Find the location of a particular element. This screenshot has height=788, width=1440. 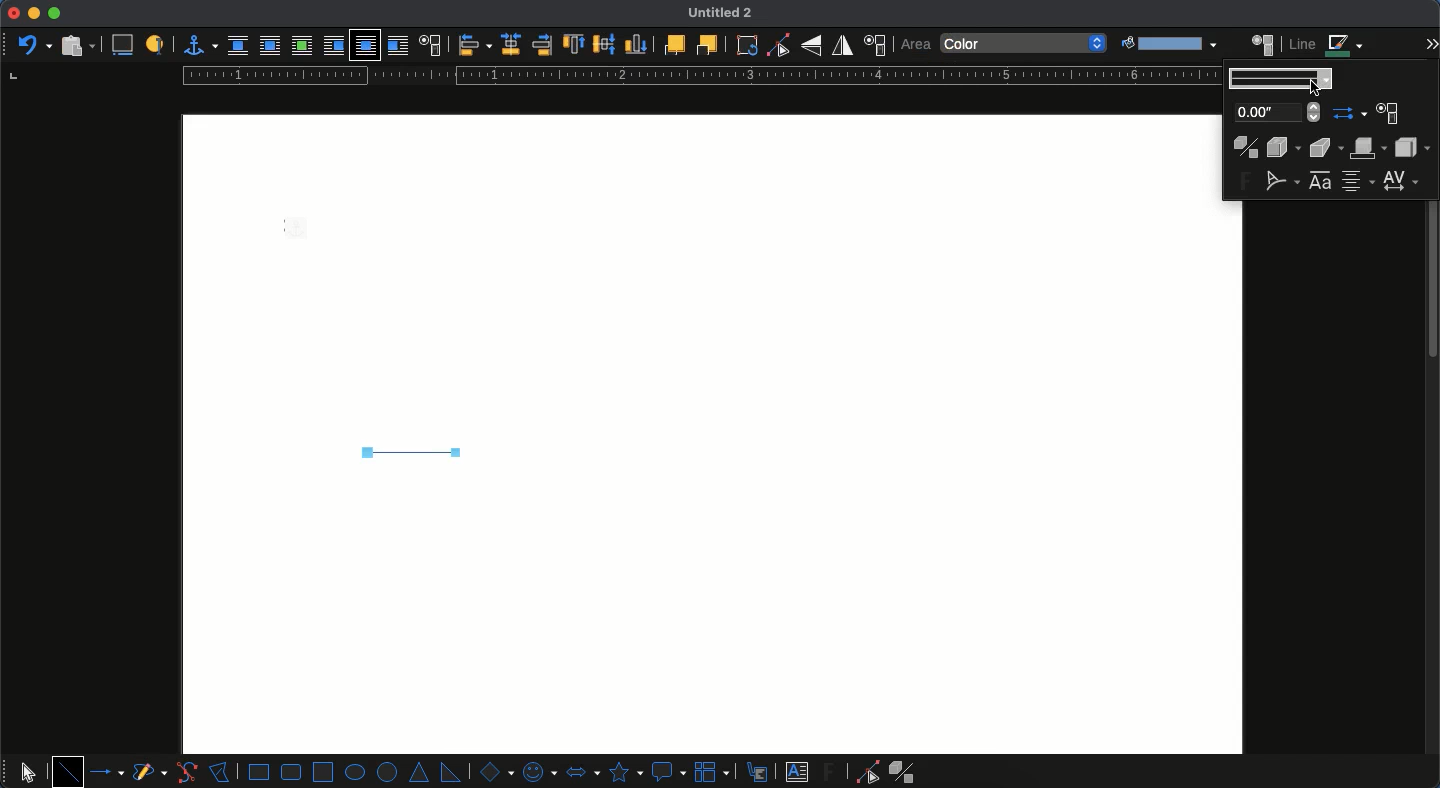

after is located at coordinates (397, 45).